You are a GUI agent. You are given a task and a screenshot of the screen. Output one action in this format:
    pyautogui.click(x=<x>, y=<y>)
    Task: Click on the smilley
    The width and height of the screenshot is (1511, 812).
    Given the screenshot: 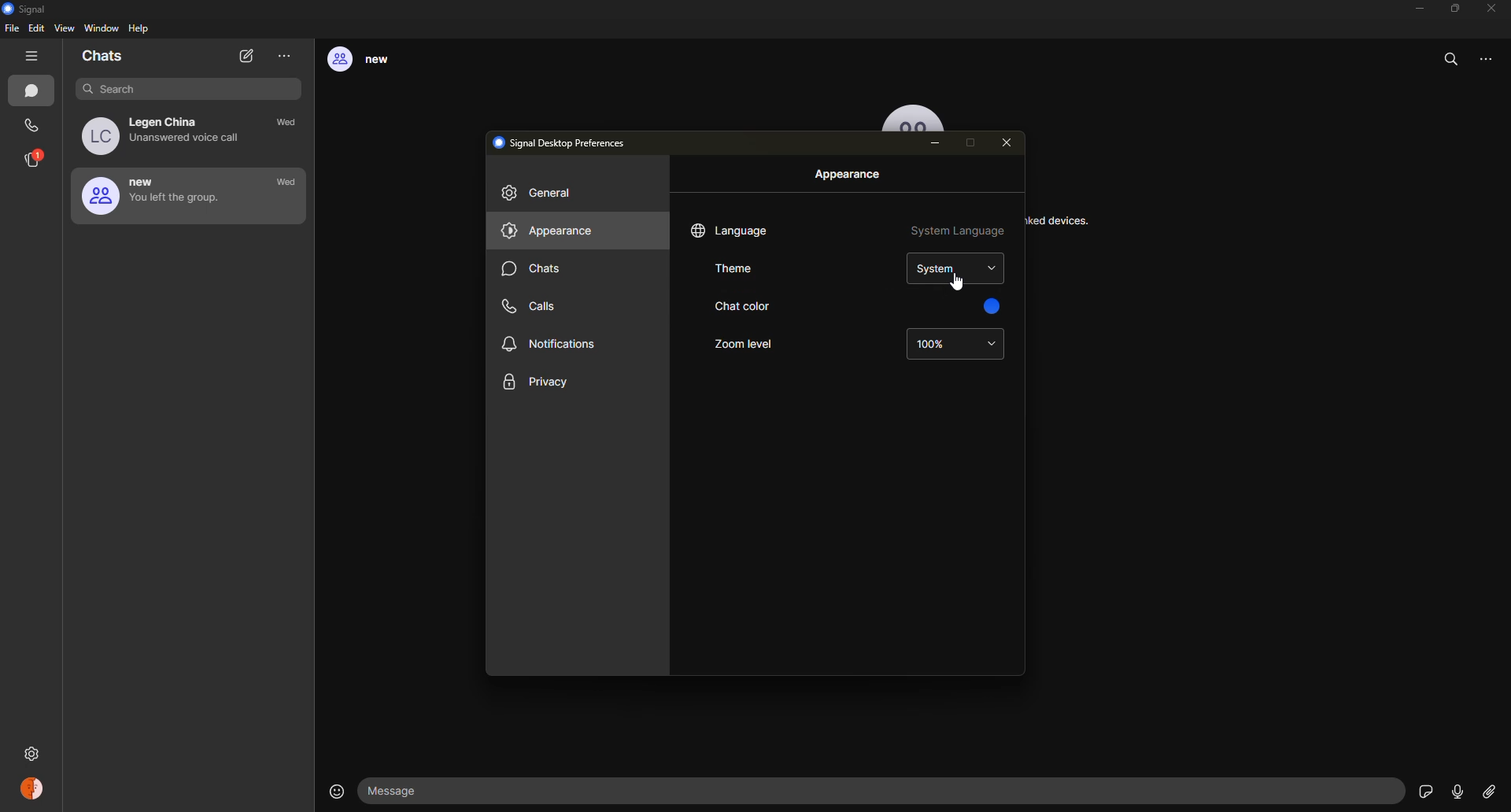 What is the action you would take?
    pyautogui.click(x=334, y=791)
    